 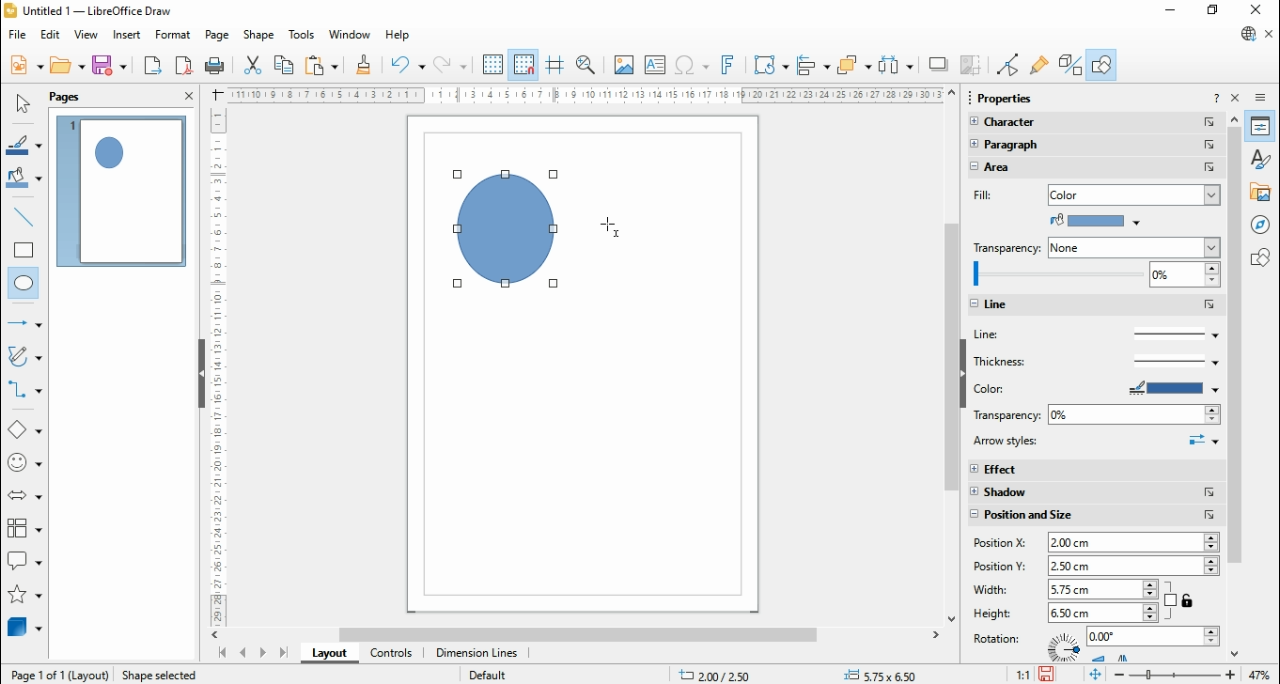 What do you see at coordinates (328, 653) in the screenshot?
I see `layout` at bounding box center [328, 653].